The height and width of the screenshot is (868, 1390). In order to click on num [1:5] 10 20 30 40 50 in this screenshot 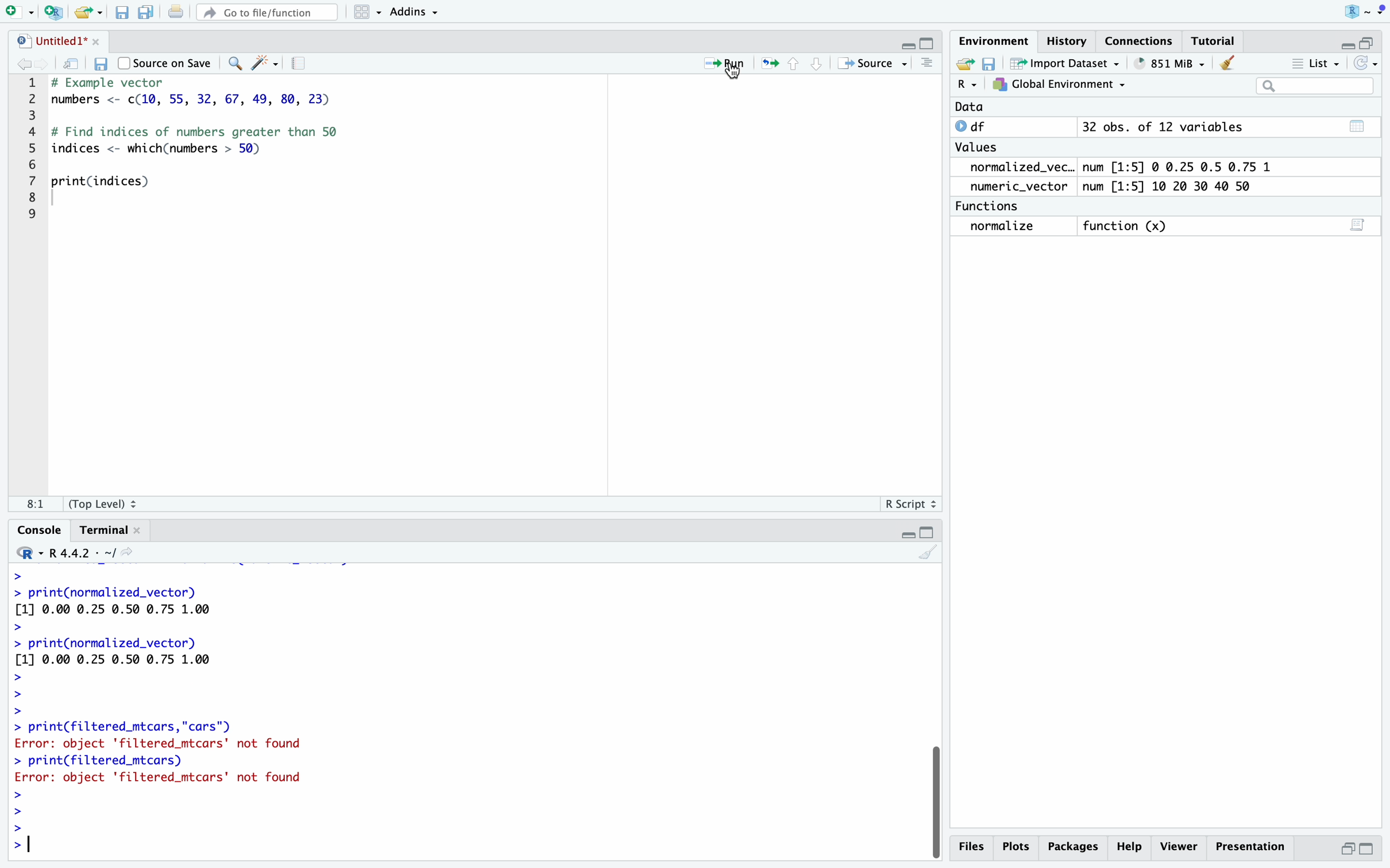, I will do `click(1178, 186)`.